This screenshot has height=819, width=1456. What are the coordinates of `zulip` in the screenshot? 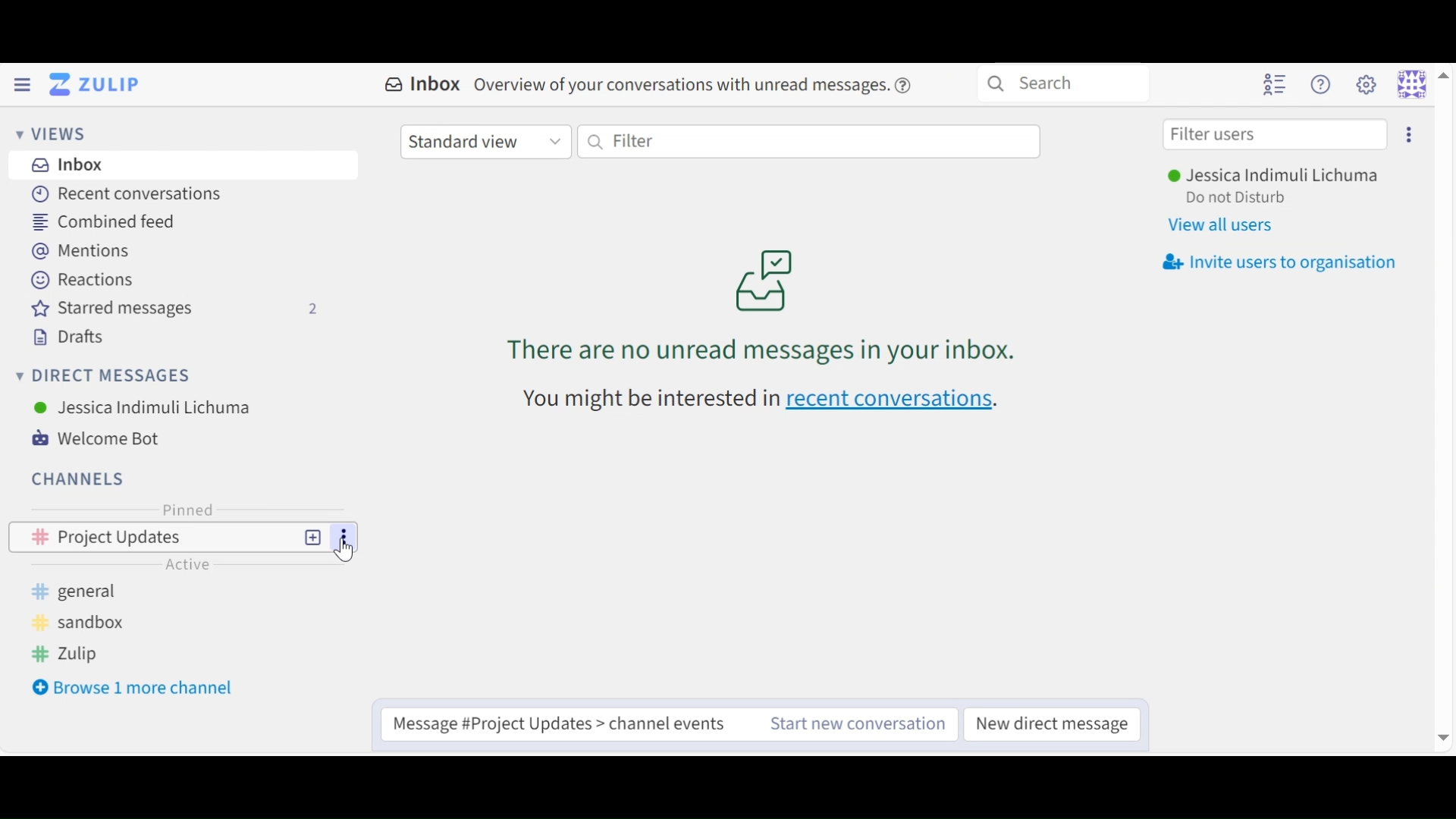 It's located at (64, 653).